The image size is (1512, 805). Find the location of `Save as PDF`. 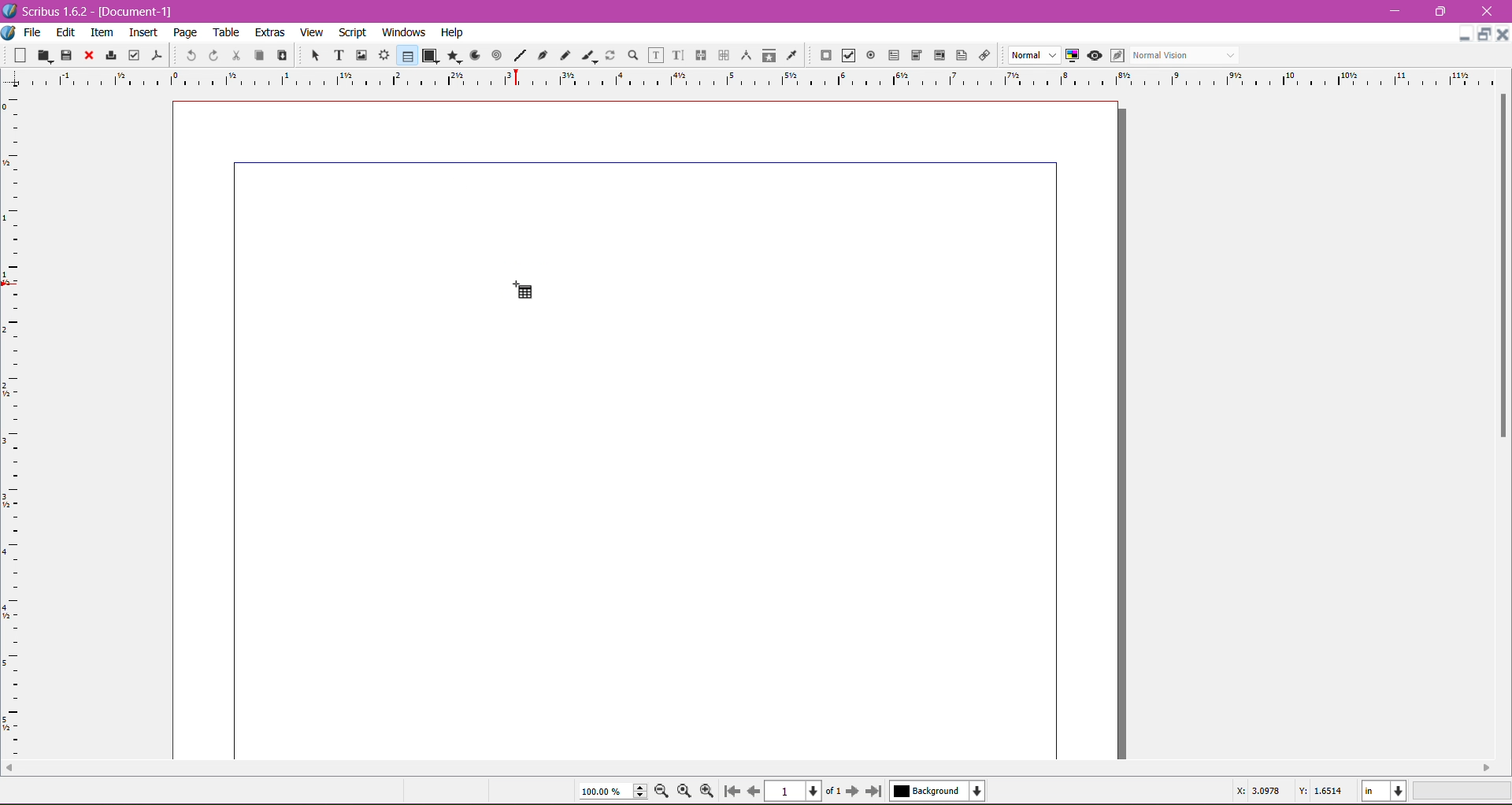

Save as PDF is located at coordinates (159, 52).